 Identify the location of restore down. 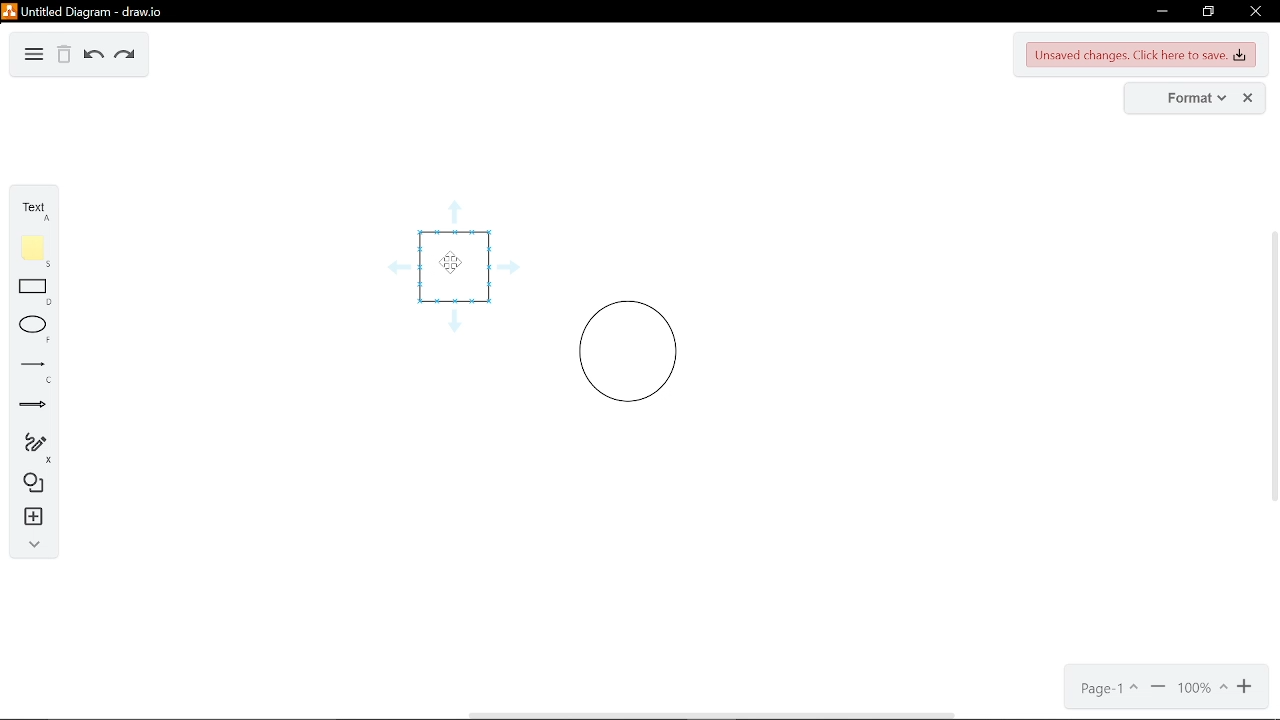
(1210, 12).